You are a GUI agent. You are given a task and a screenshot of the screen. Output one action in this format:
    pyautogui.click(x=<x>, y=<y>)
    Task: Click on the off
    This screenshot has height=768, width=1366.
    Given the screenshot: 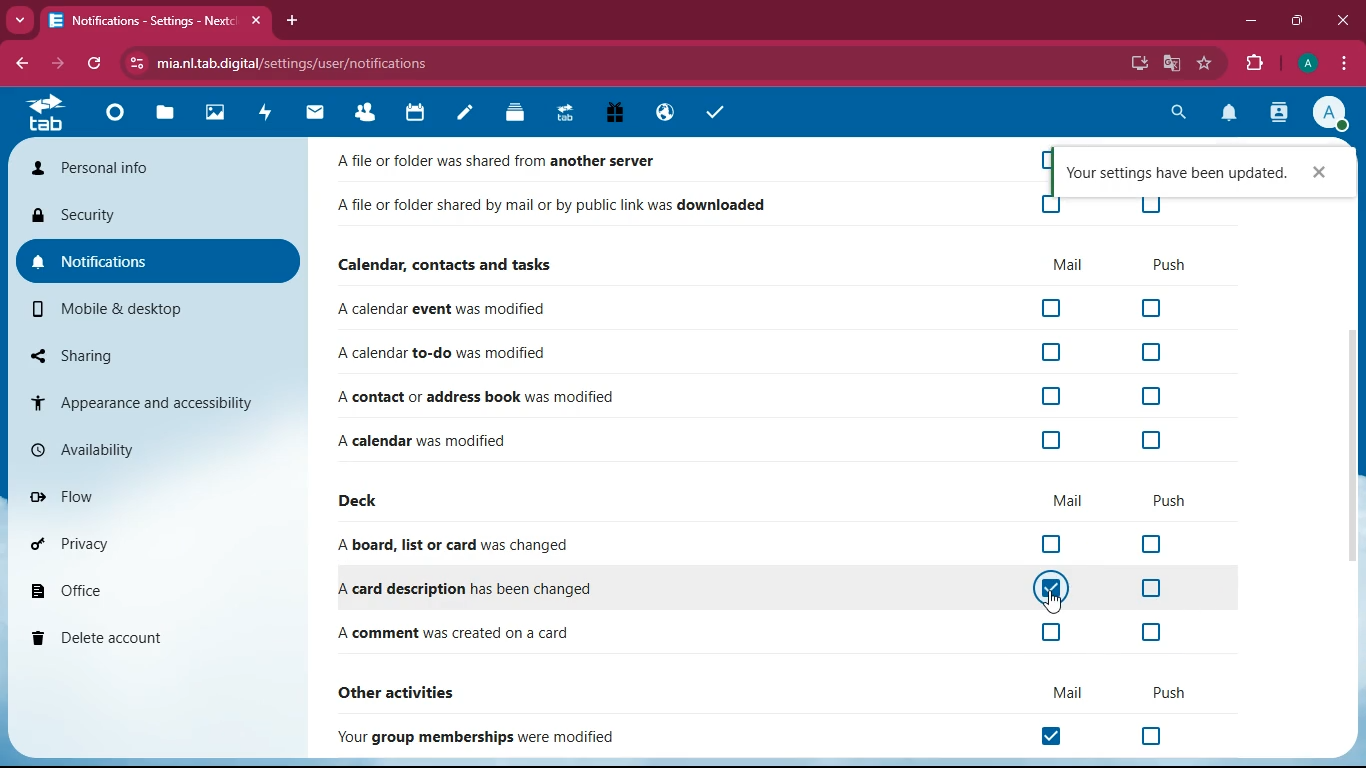 What is the action you would take?
    pyautogui.click(x=1048, y=634)
    